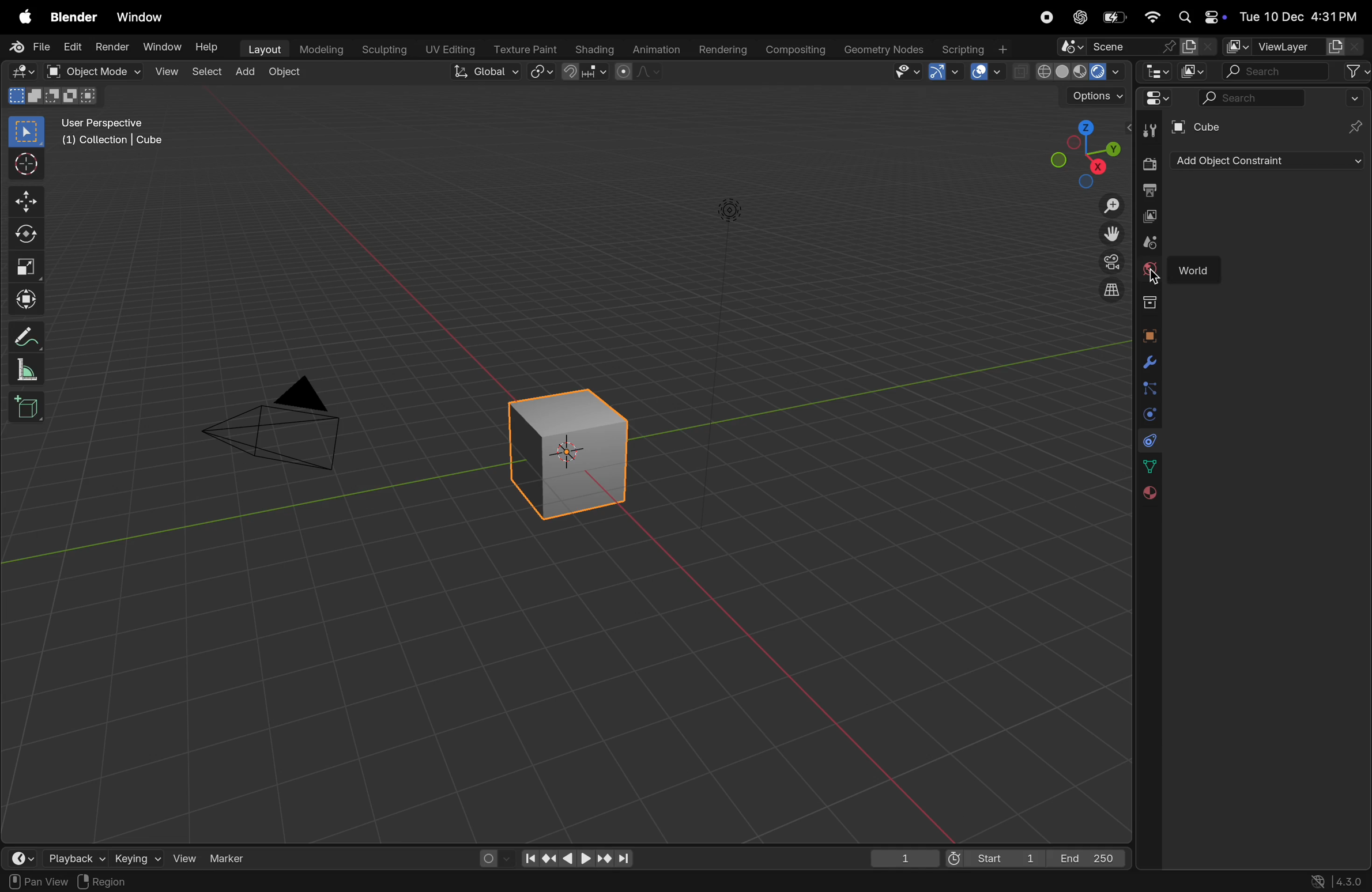  What do you see at coordinates (654, 50) in the screenshot?
I see `Animation` at bounding box center [654, 50].